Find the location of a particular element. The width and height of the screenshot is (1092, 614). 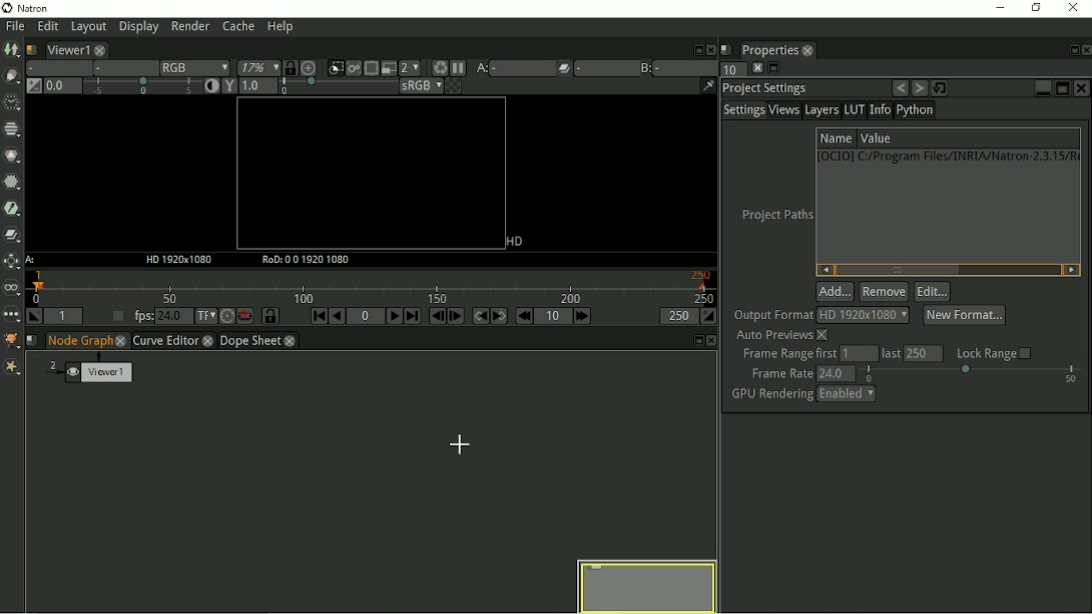

Play forward is located at coordinates (391, 316).